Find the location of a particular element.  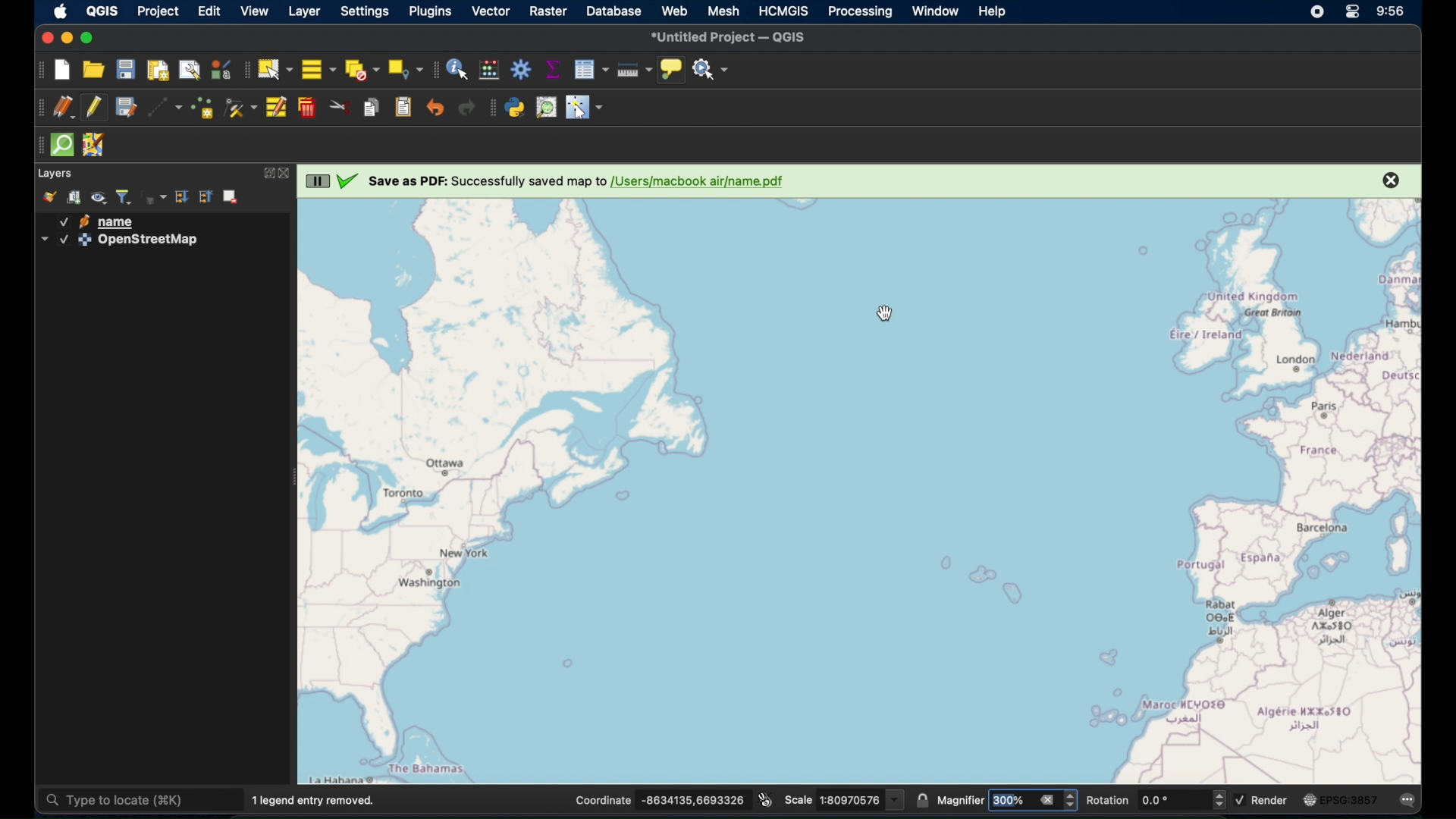

current edits is located at coordinates (64, 108).